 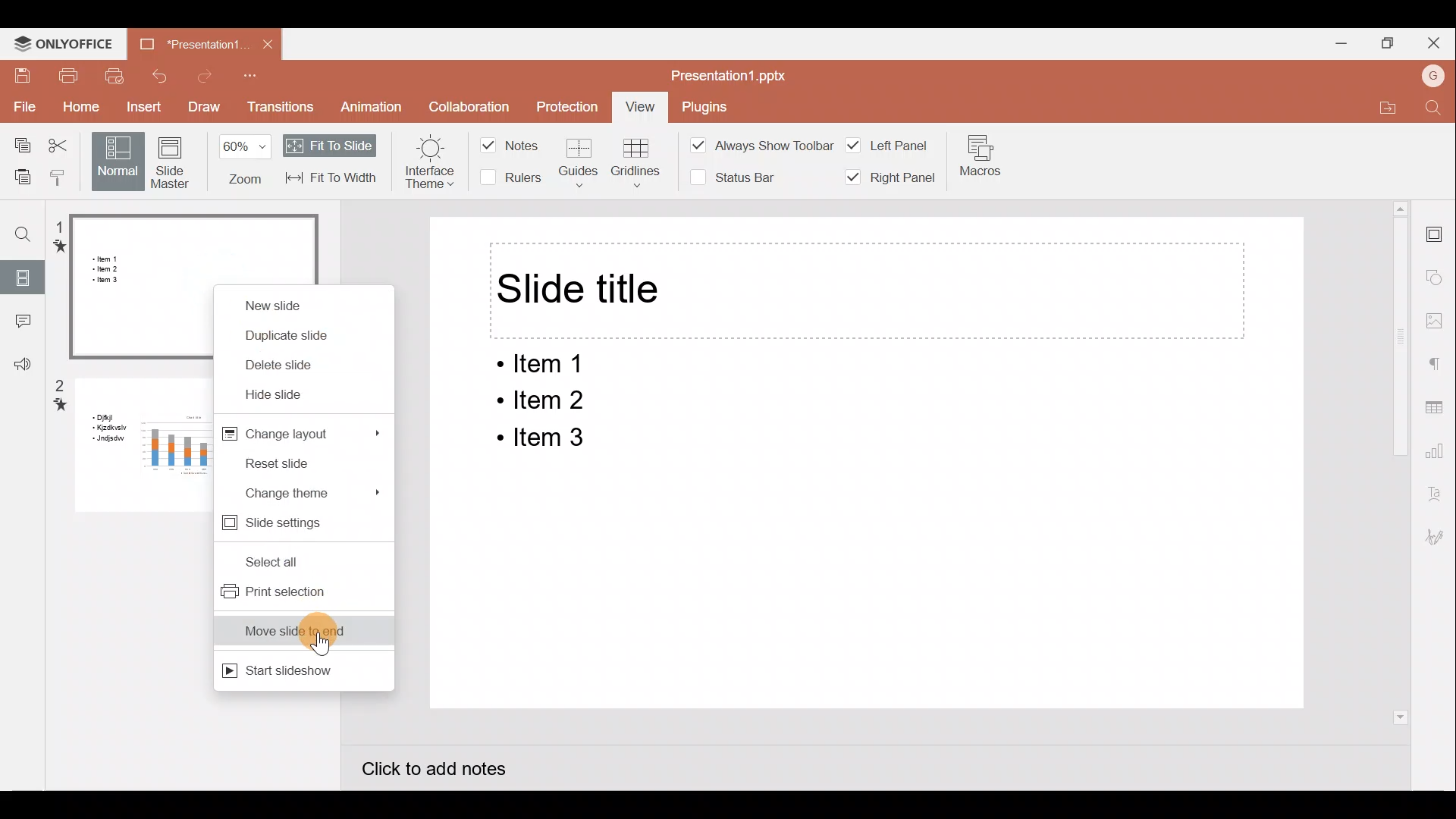 I want to click on Fit to width, so click(x=331, y=177).